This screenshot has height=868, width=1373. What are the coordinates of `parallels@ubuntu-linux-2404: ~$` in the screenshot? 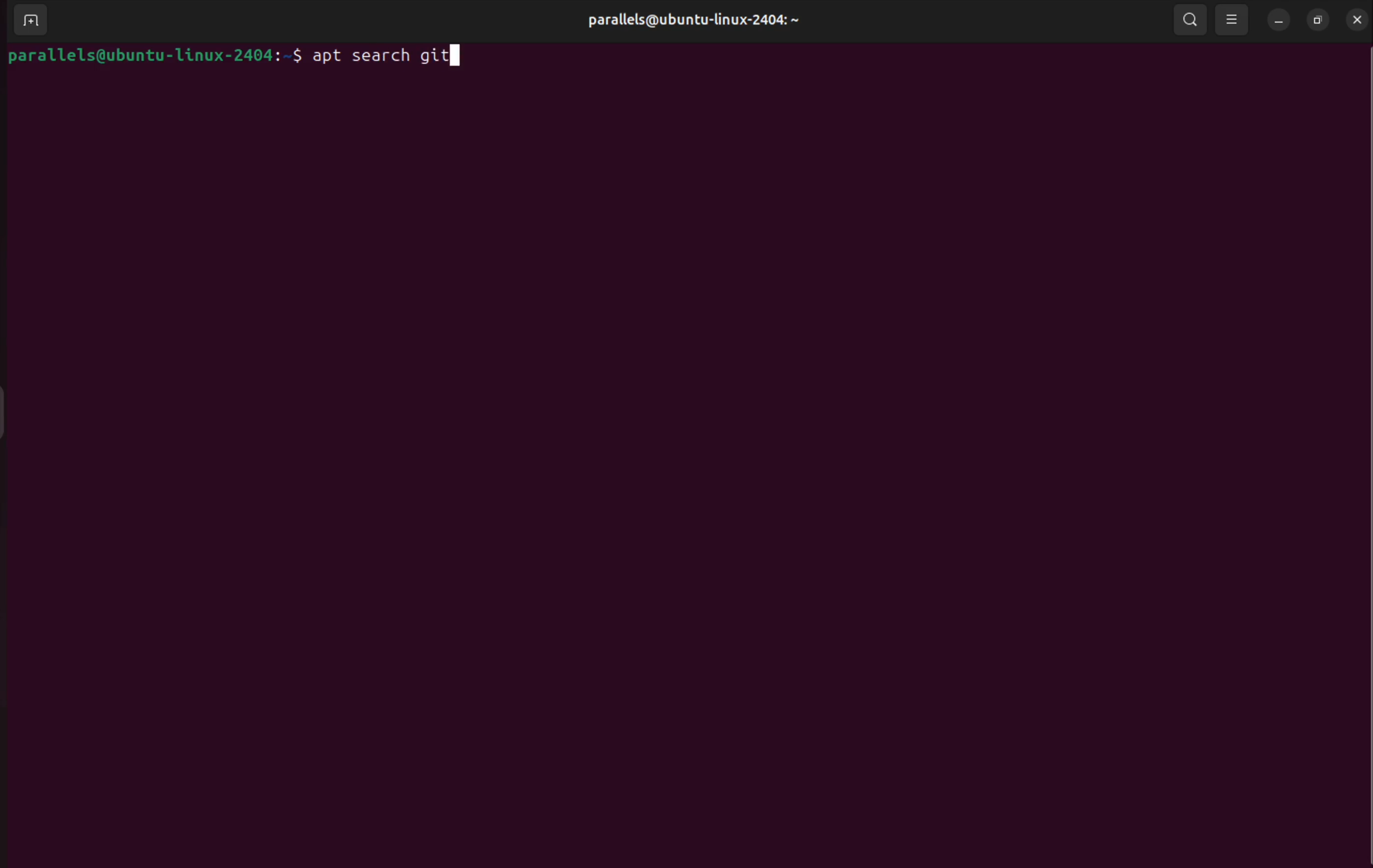 It's located at (153, 56).